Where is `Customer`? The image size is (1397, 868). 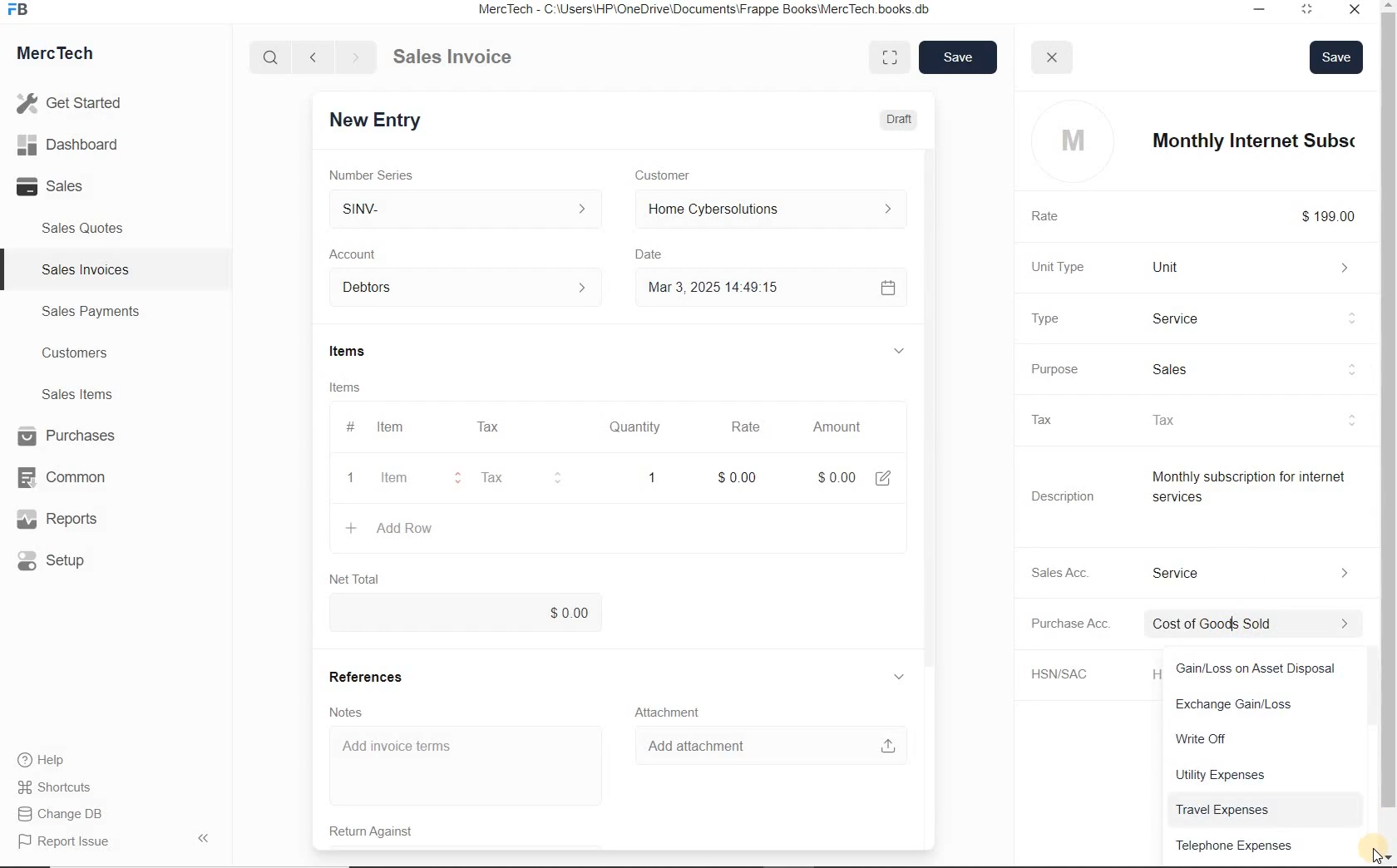
Customer is located at coordinates (680, 175).